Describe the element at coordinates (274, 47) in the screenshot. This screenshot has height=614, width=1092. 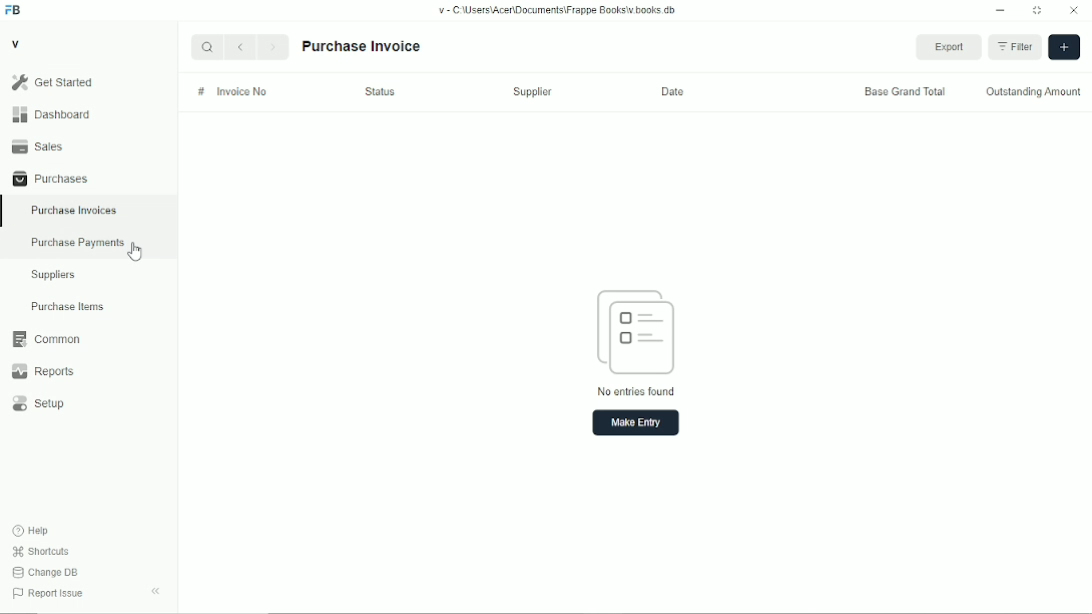
I see `Next` at that location.